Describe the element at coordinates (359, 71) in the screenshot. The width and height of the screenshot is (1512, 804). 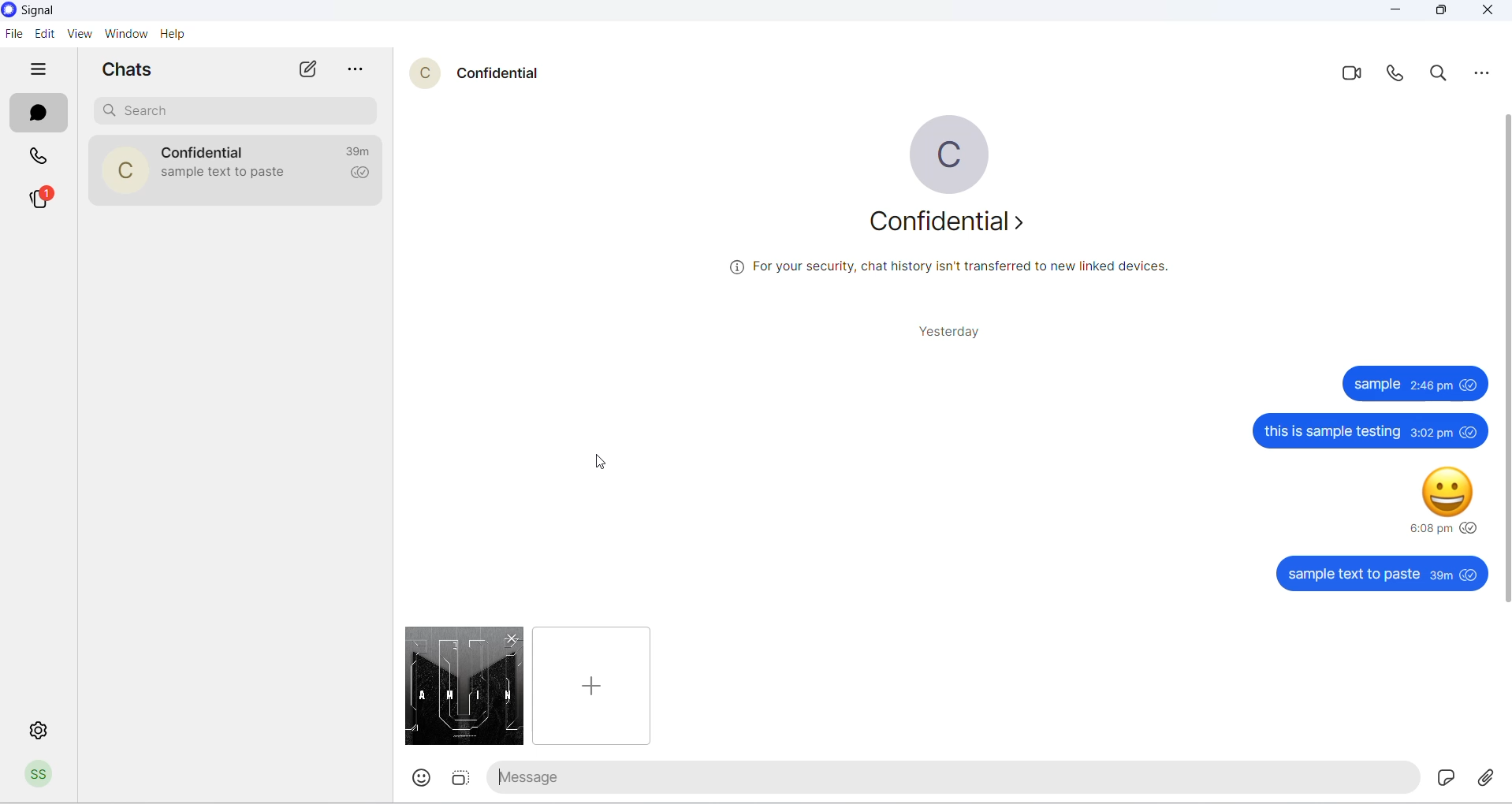
I see `more options` at that location.